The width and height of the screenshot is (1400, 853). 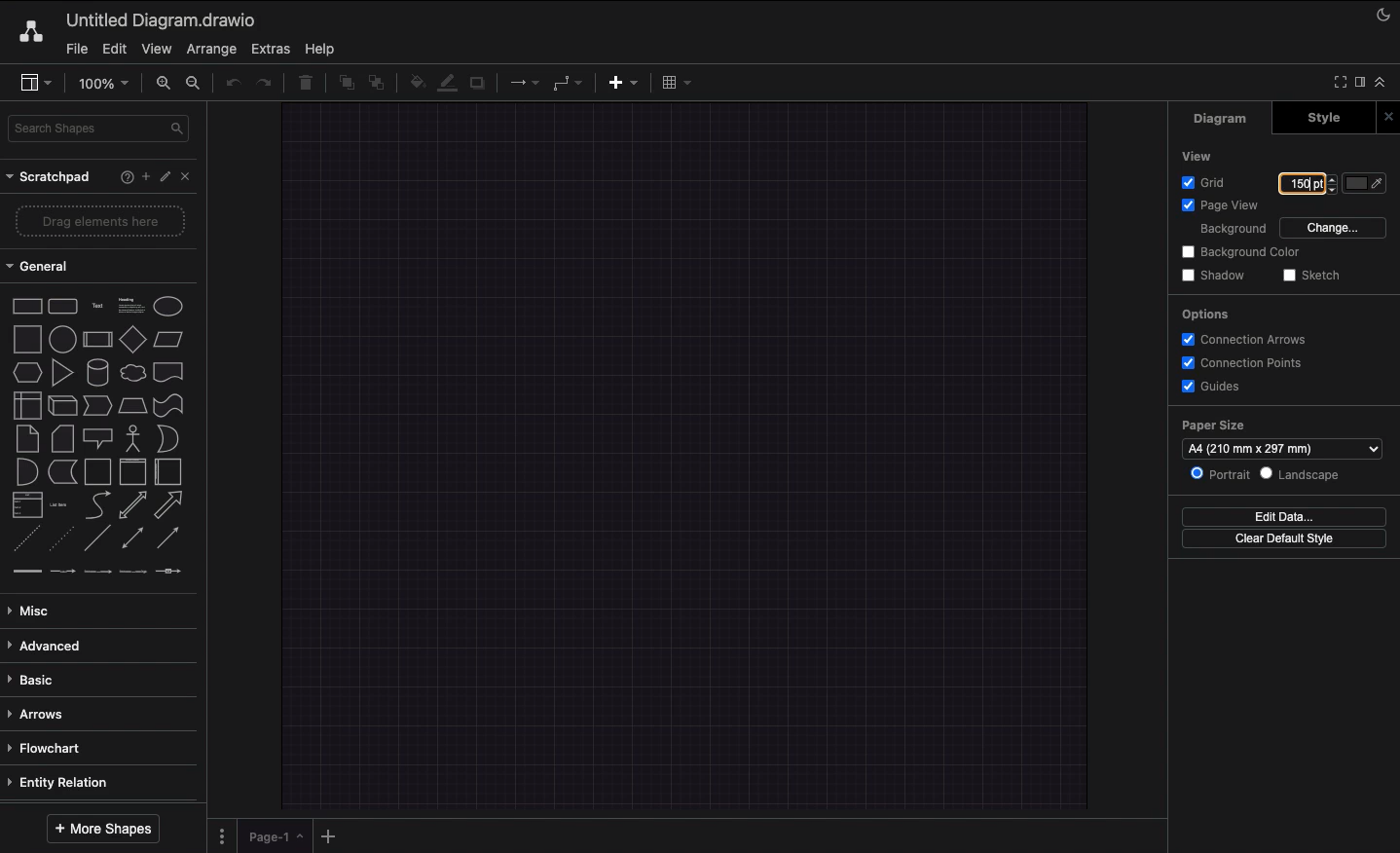 I want to click on Entity relation, so click(x=66, y=779).